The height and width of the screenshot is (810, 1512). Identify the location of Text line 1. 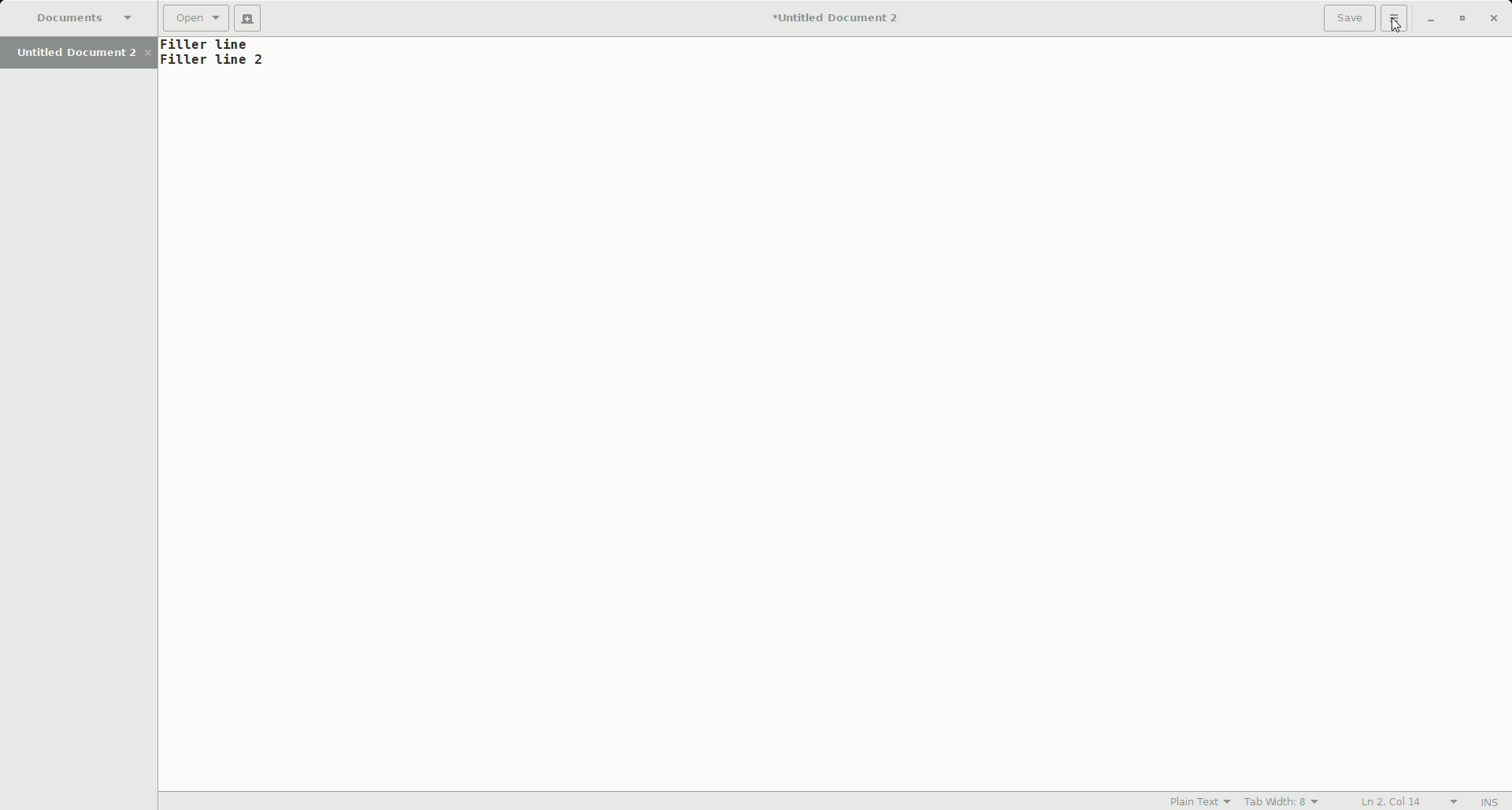
(215, 45).